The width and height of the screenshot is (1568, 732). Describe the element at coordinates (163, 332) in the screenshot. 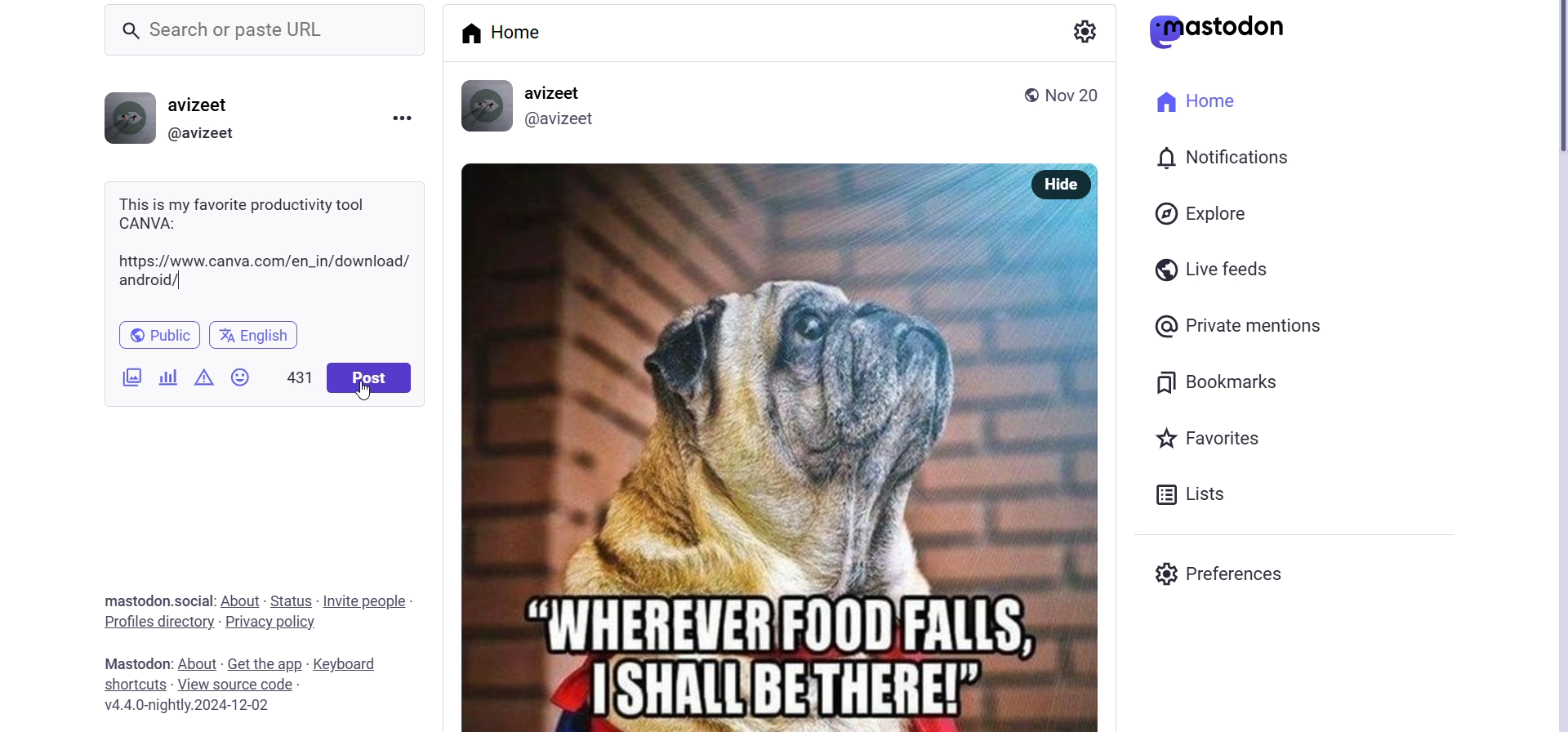

I see `public` at that location.